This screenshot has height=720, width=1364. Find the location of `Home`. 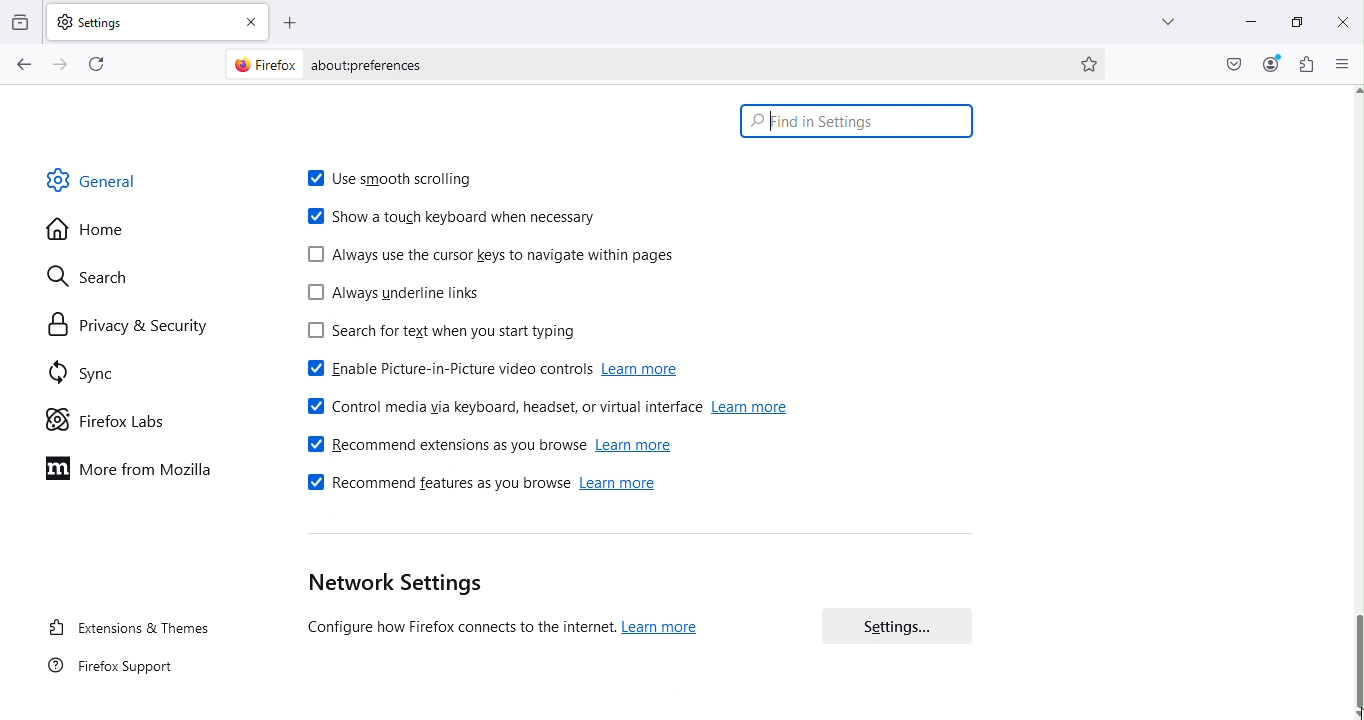

Home is located at coordinates (86, 230).